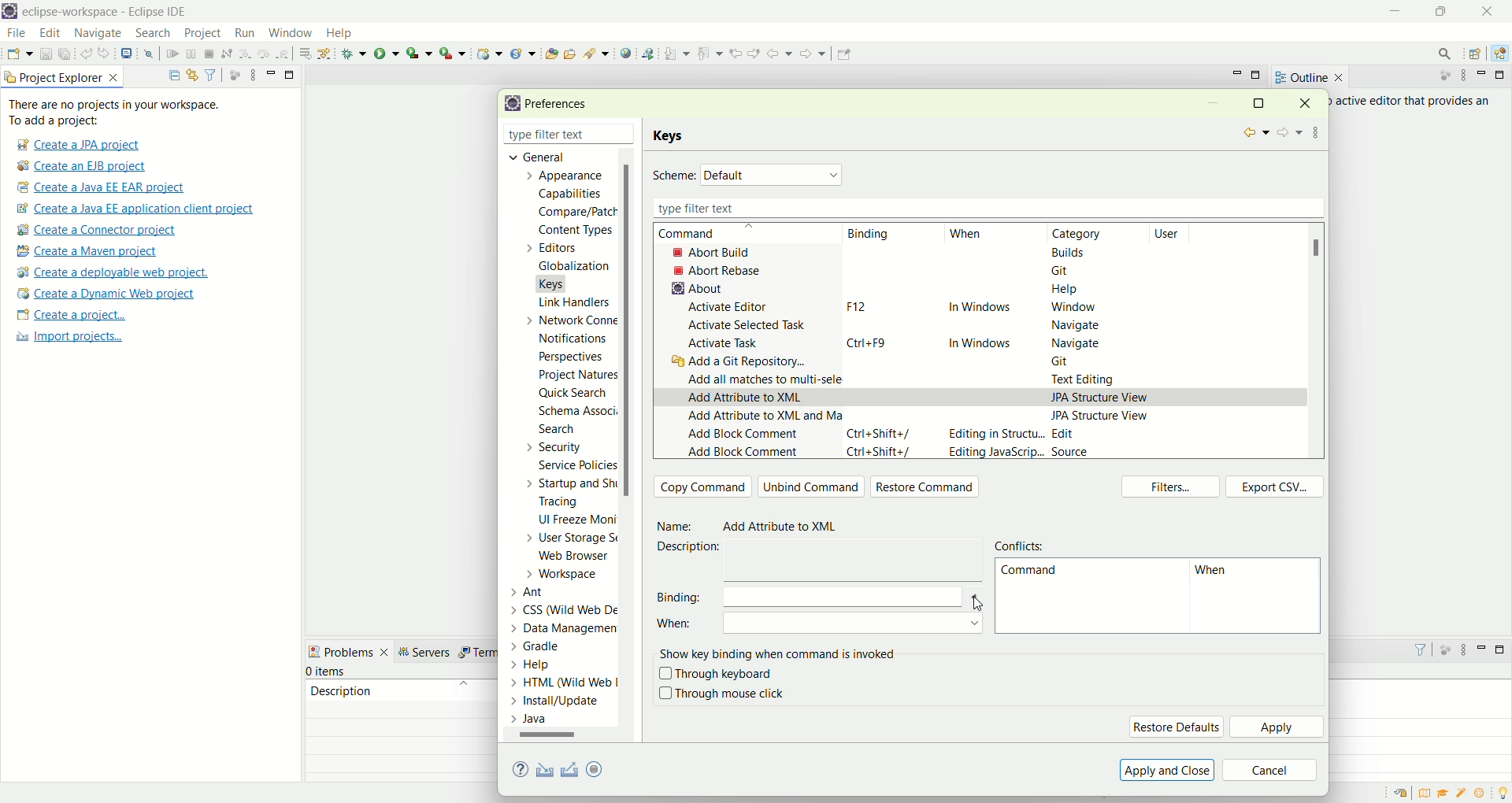 Image resolution: width=1512 pixels, height=803 pixels. What do you see at coordinates (107, 54) in the screenshot?
I see `redo` at bounding box center [107, 54].